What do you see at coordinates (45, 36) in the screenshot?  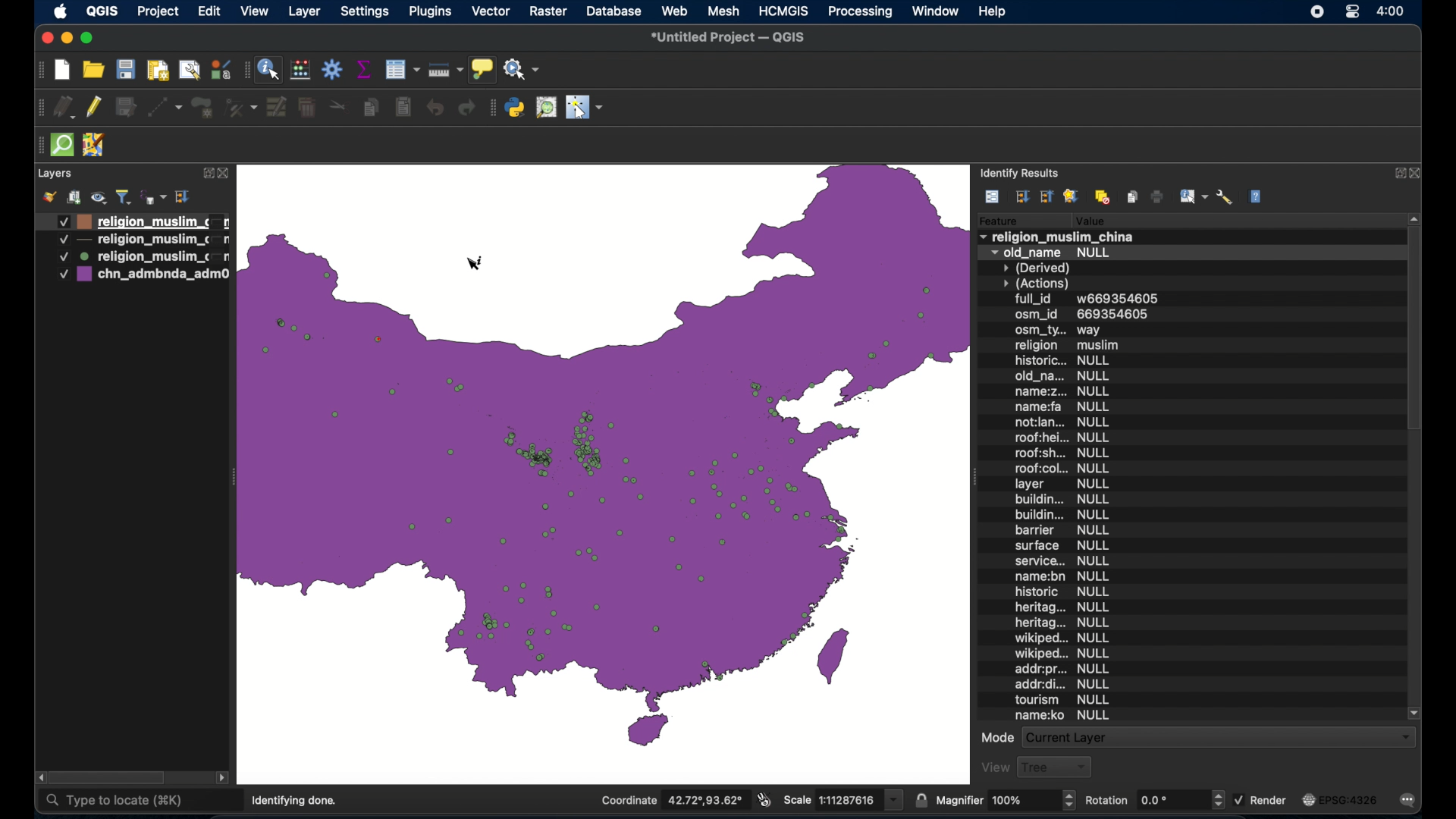 I see `close` at bounding box center [45, 36].